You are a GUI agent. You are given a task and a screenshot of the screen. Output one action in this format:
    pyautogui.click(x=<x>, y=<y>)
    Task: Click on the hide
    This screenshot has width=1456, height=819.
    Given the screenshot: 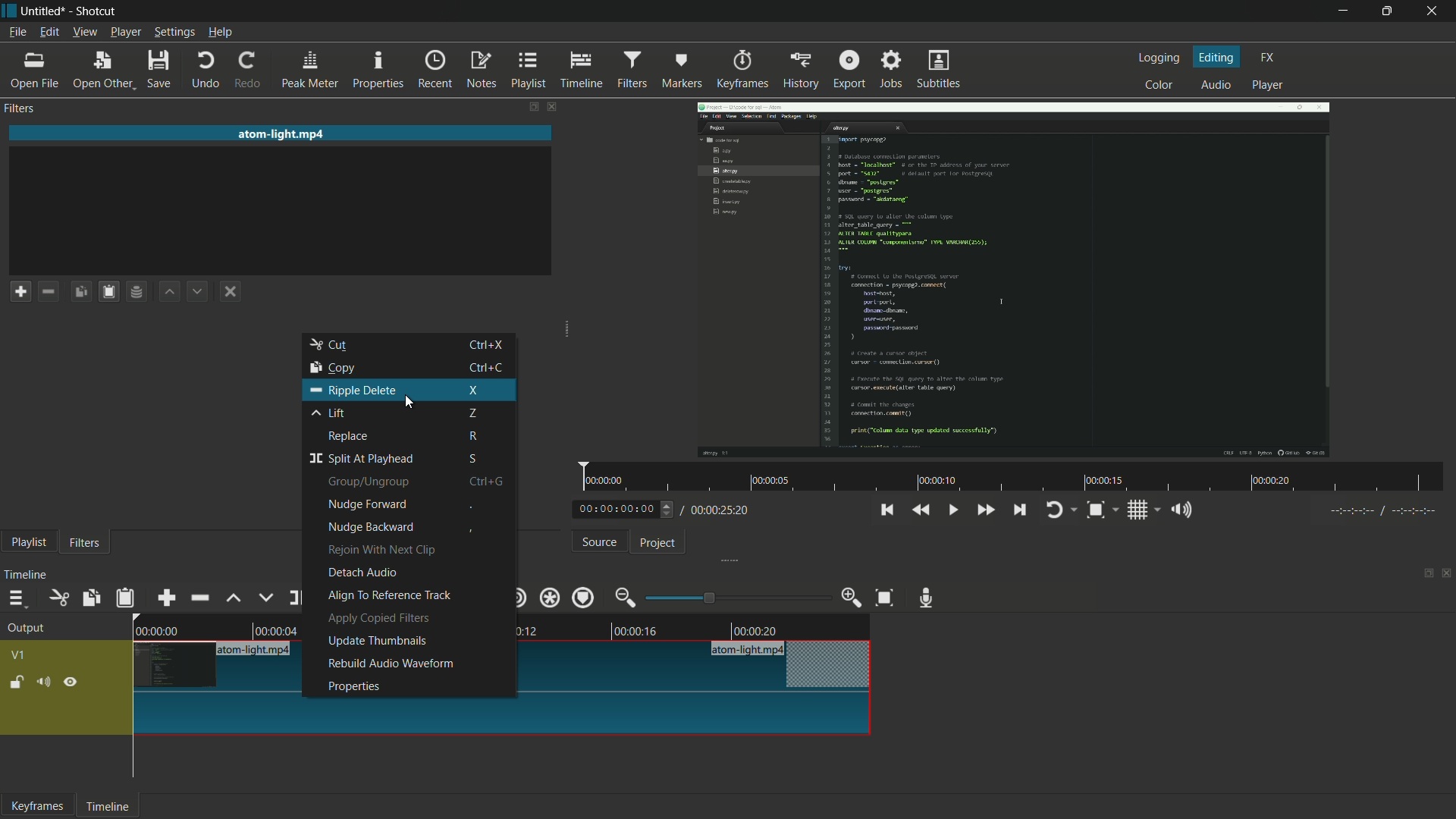 What is the action you would take?
    pyautogui.click(x=71, y=682)
    